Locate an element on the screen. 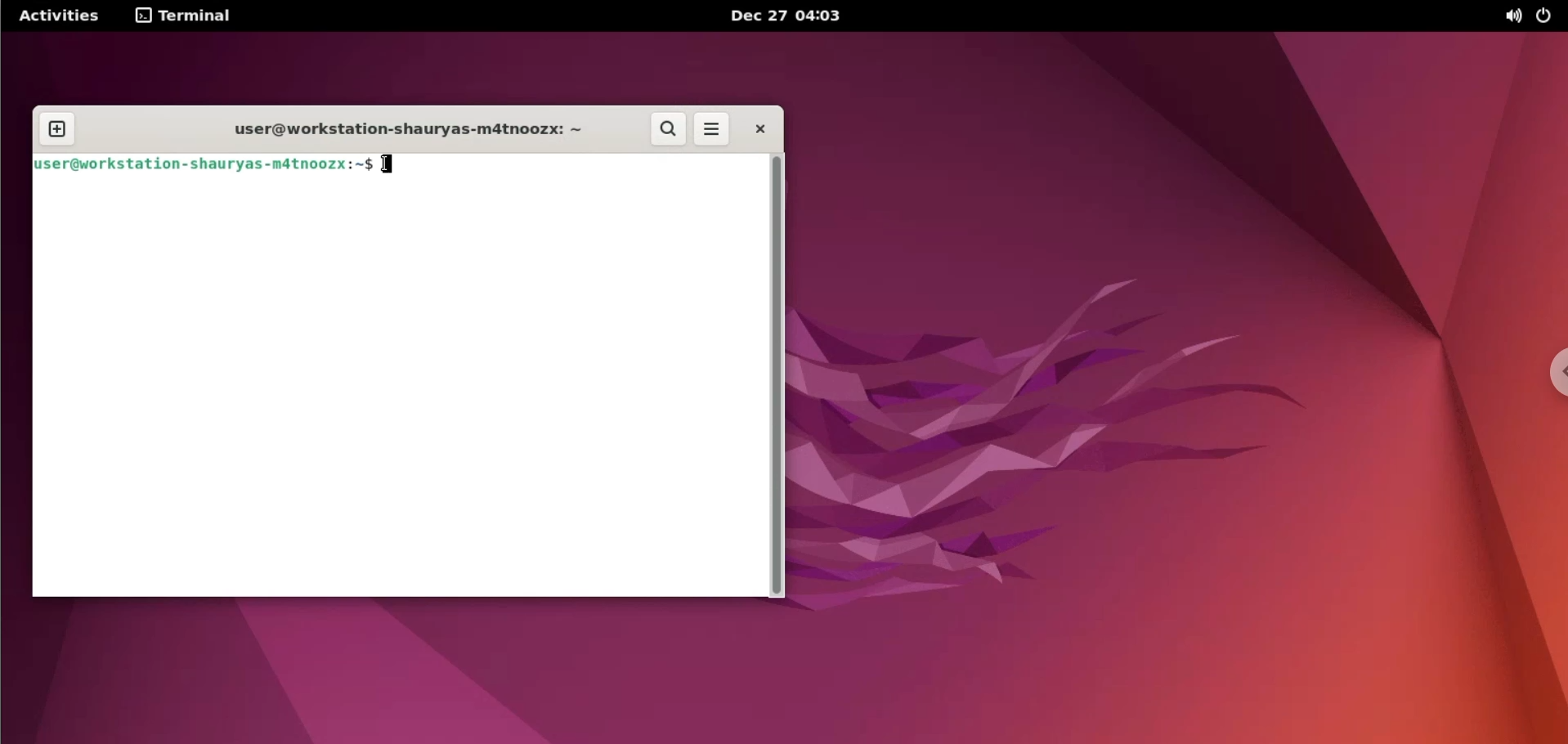  scrollbar is located at coordinates (777, 378).